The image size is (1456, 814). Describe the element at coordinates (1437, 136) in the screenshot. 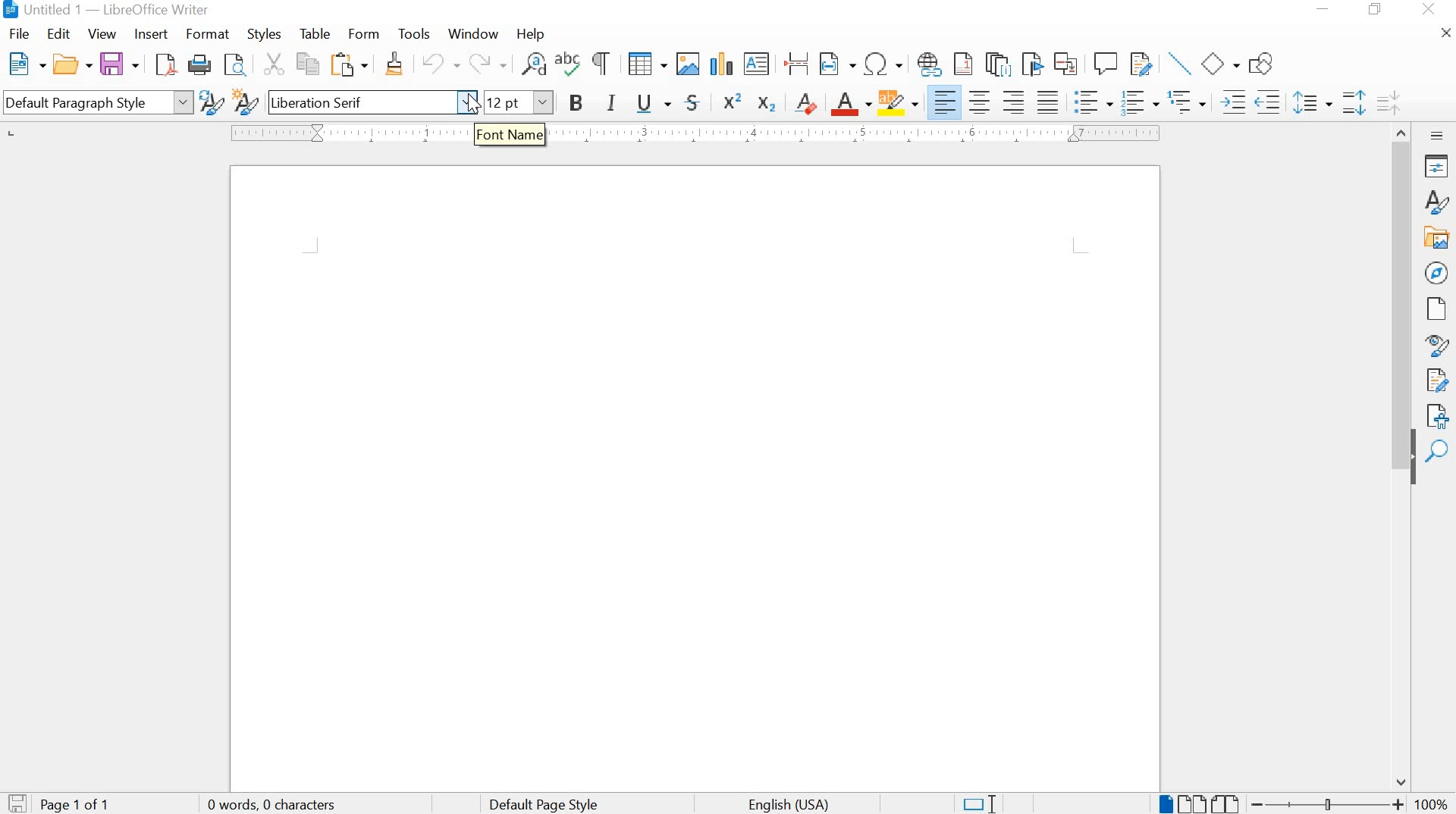

I see `SIDEBAR SETTINGS` at that location.